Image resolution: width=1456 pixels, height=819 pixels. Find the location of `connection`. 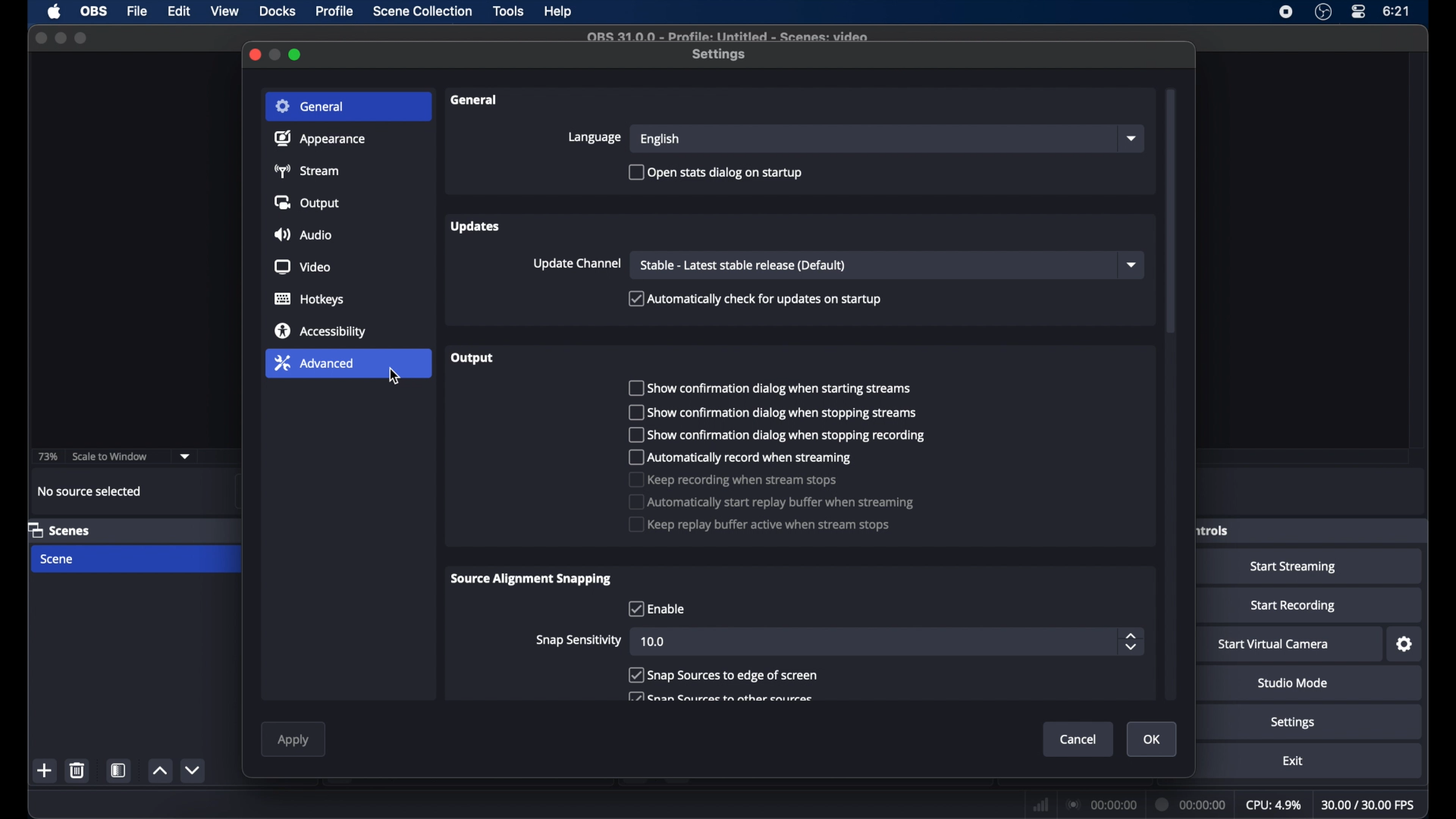

connection is located at coordinates (1101, 804).